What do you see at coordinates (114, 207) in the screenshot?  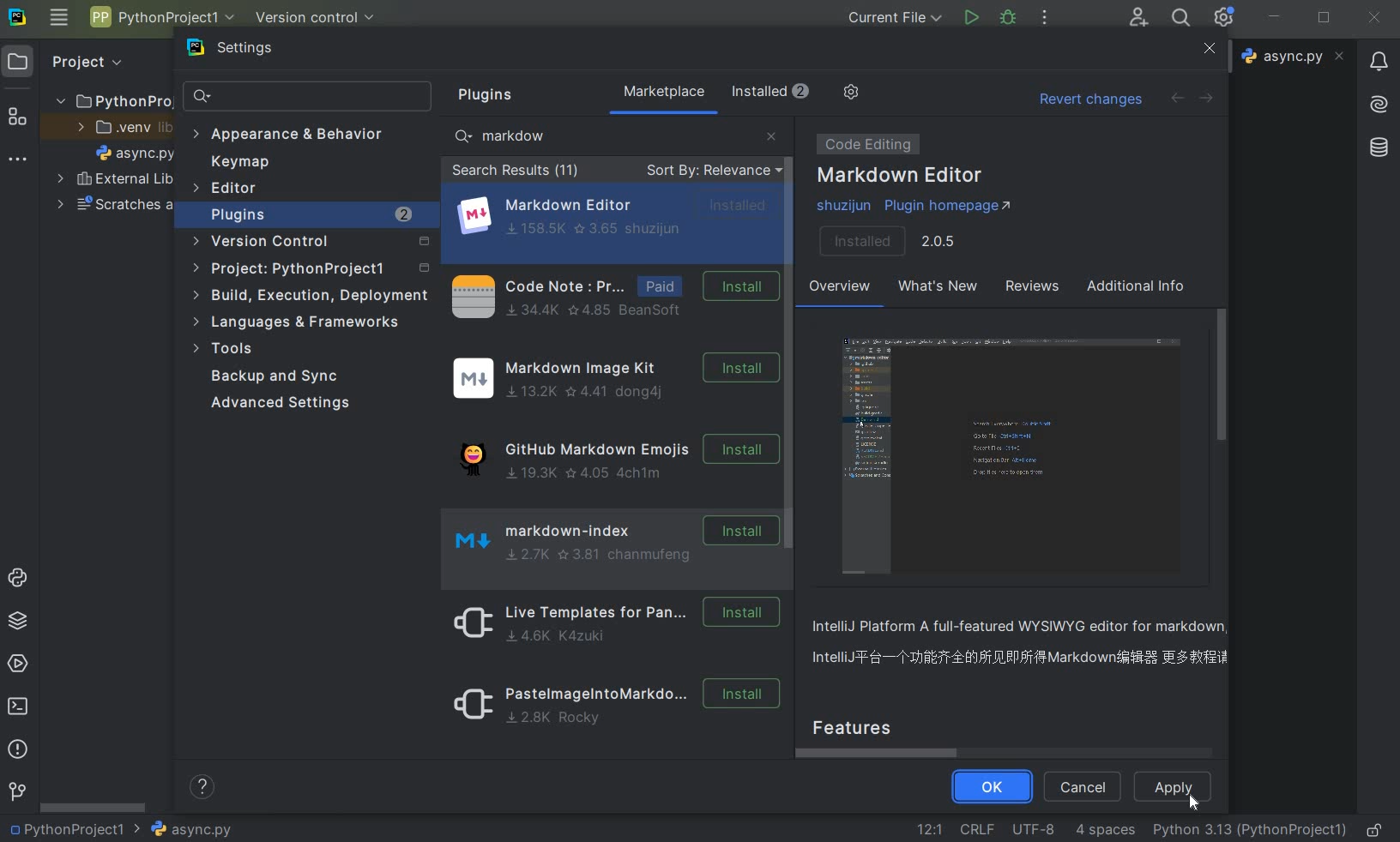 I see `scratches and consoles` at bounding box center [114, 207].